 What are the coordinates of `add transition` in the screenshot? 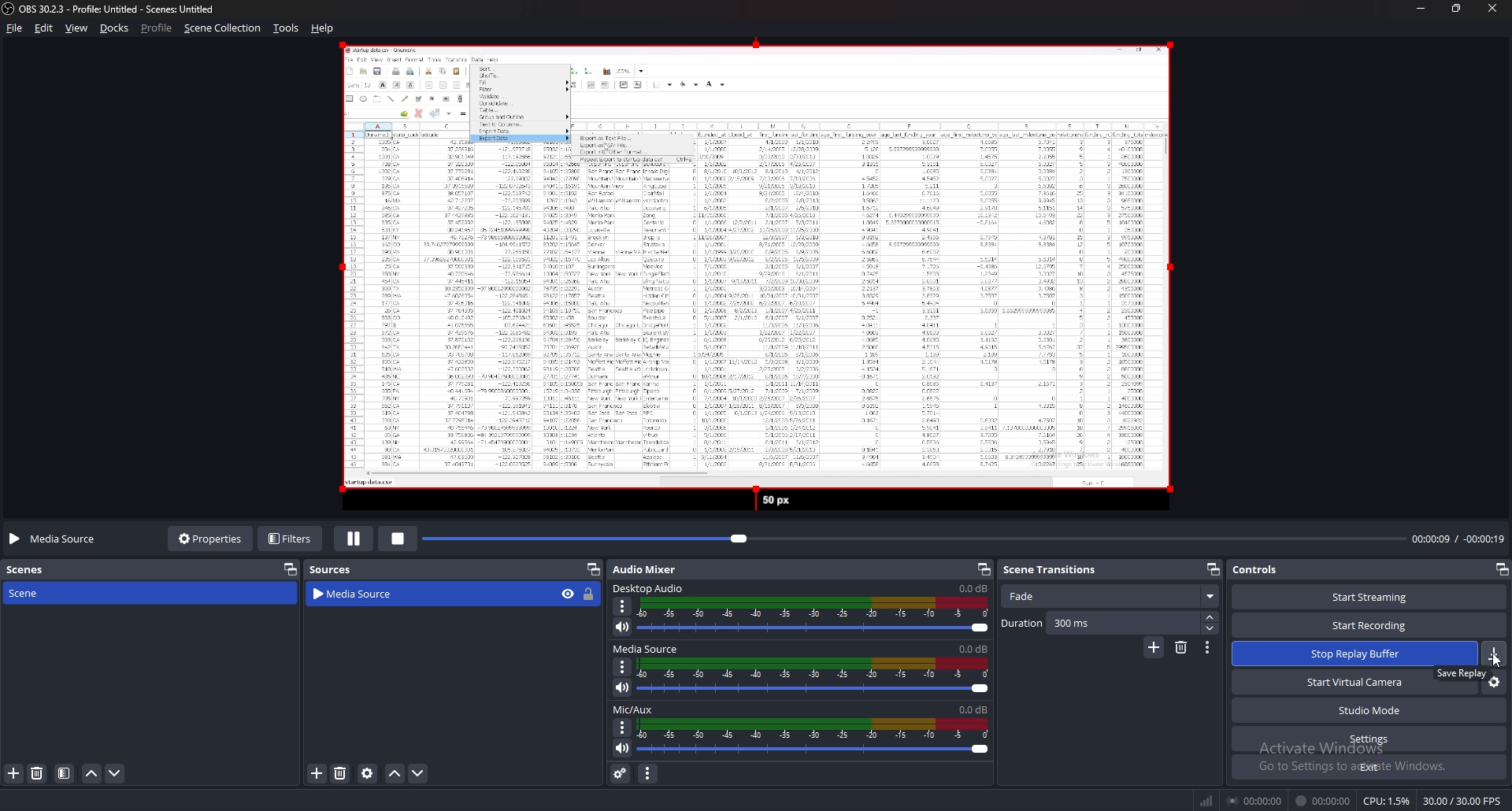 It's located at (1154, 647).